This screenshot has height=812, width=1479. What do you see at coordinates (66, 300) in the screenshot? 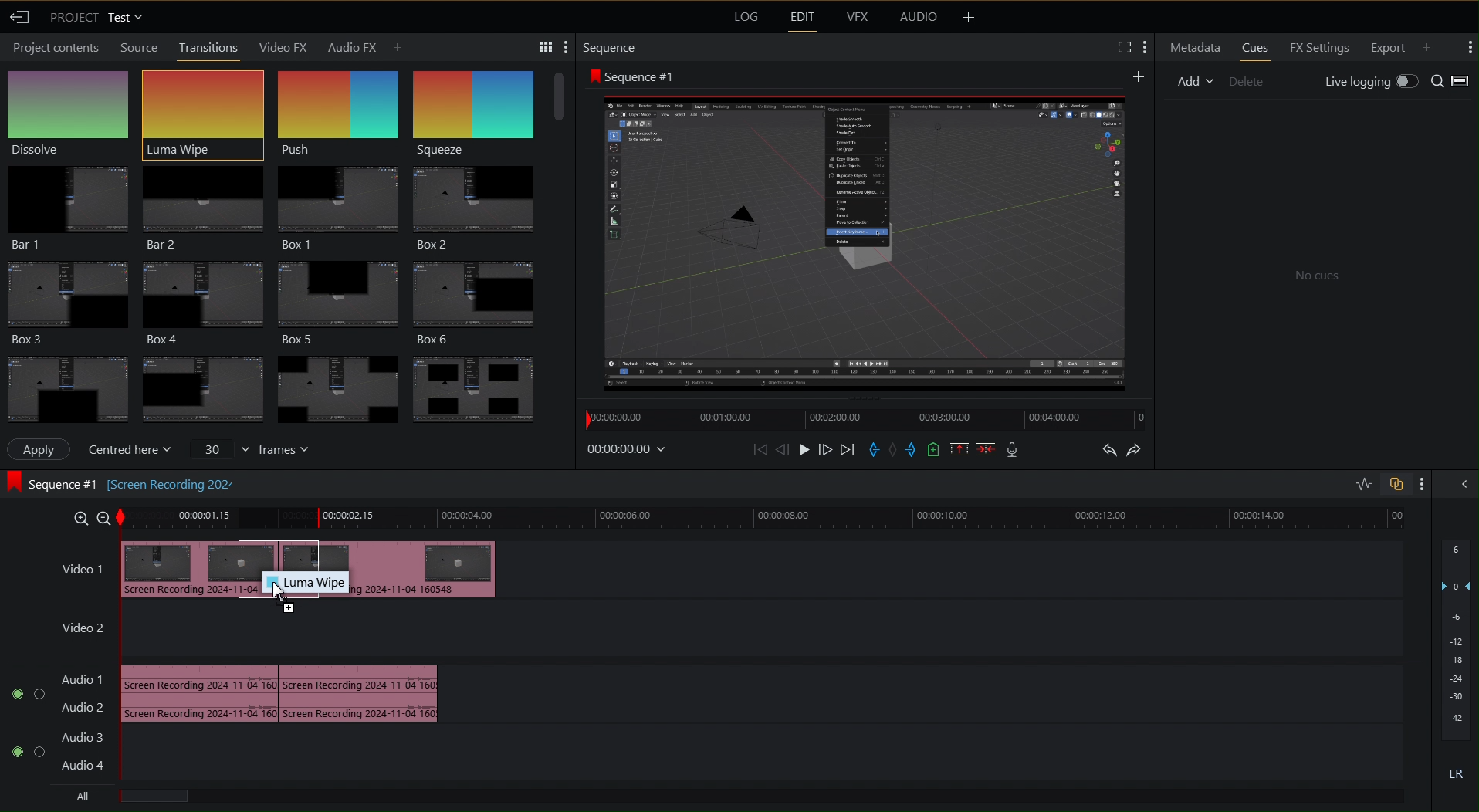
I see `Box 3` at bounding box center [66, 300].